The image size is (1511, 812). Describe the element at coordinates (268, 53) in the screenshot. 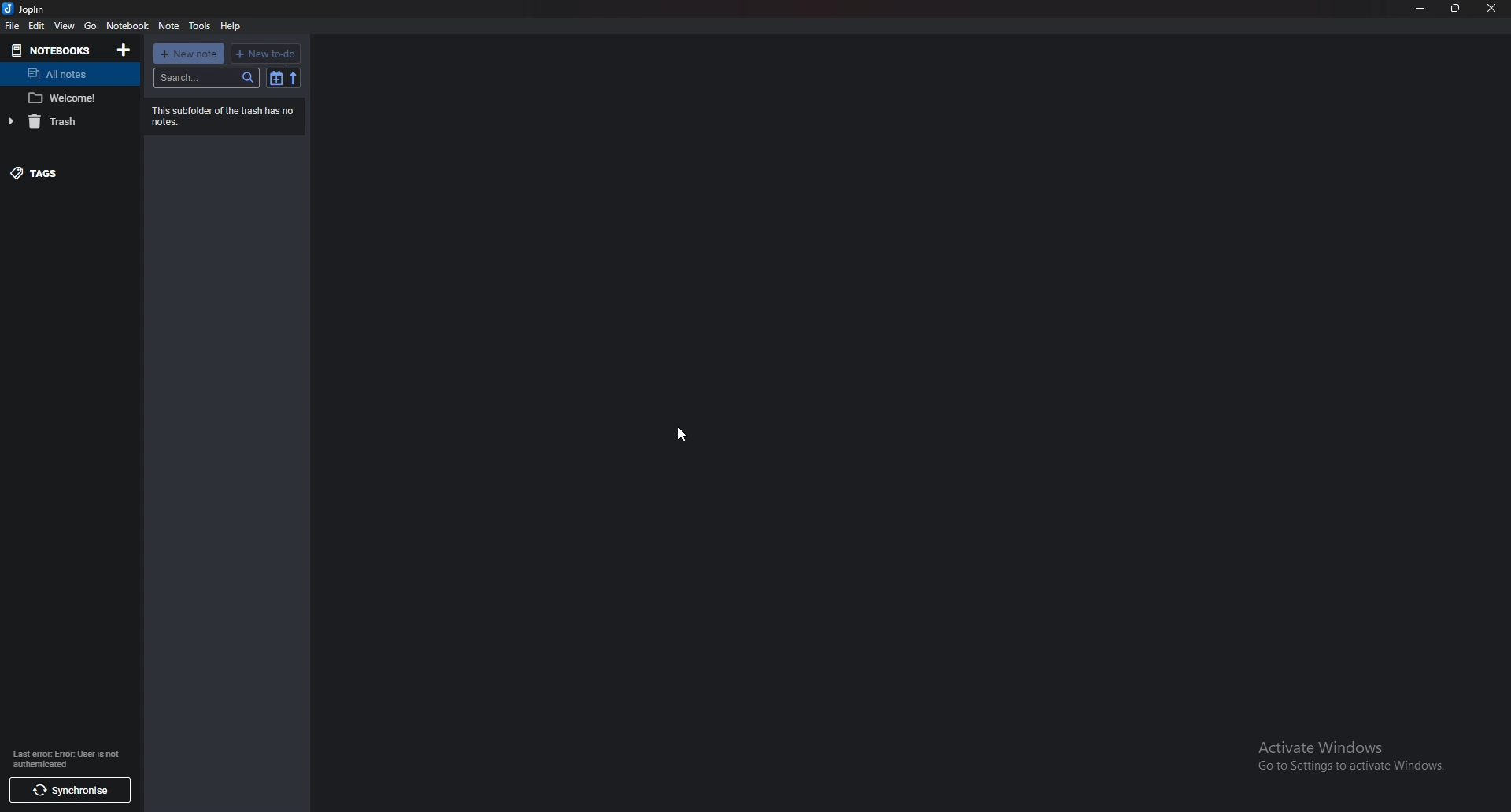

I see `New to do` at that location.